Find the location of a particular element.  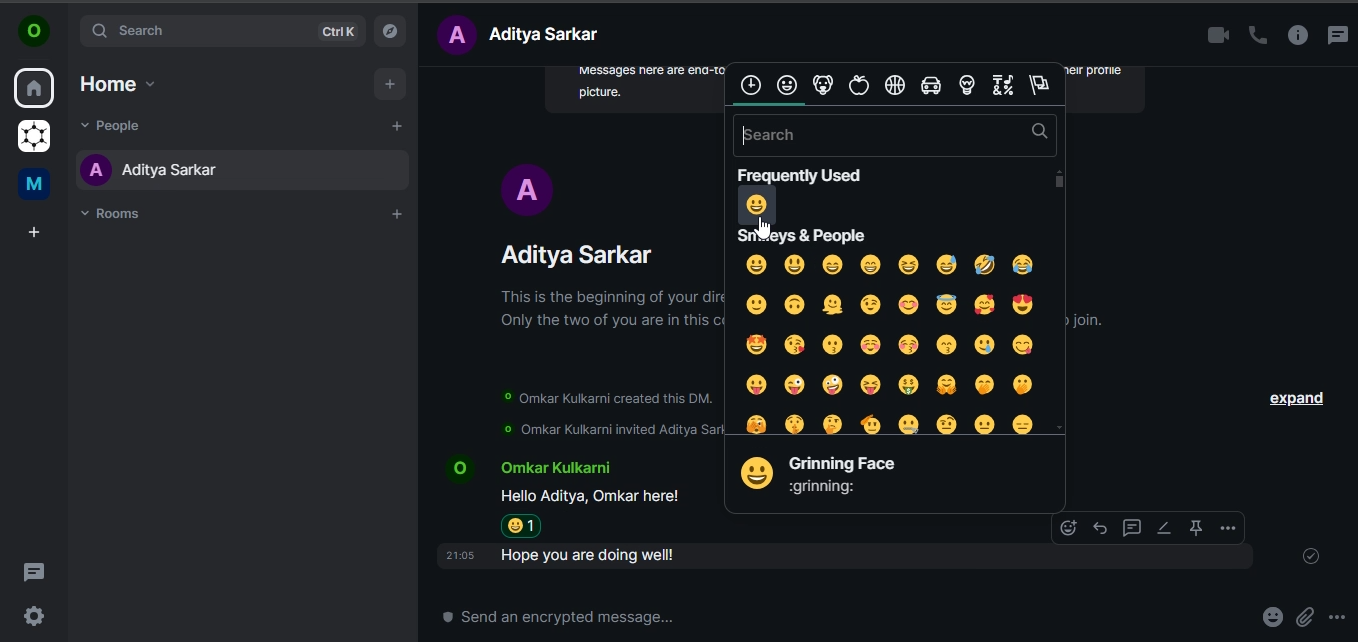

home is located at coordinates (115, 84).